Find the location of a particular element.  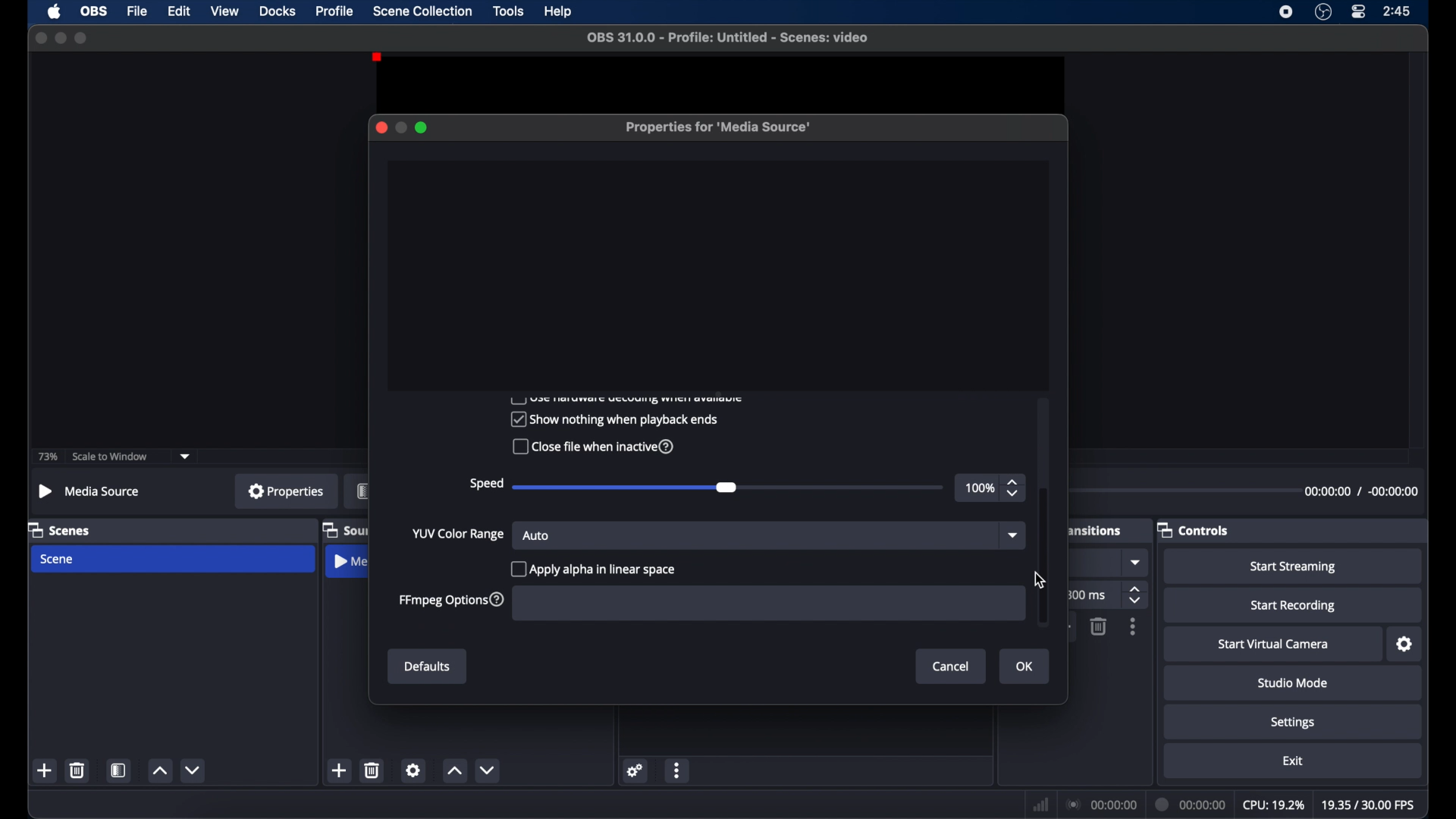

defaults is located at coordinates (428, 667).